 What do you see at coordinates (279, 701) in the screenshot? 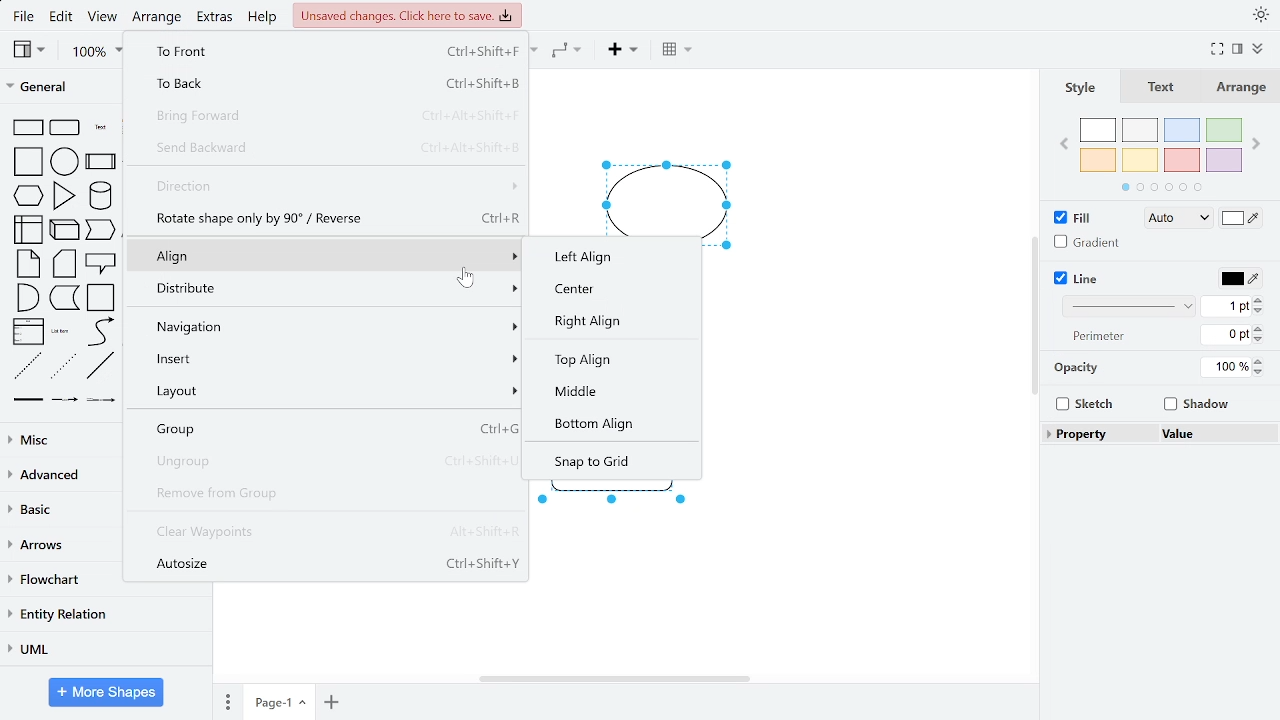
I see `Page-1` at bounding box center [279, 701].